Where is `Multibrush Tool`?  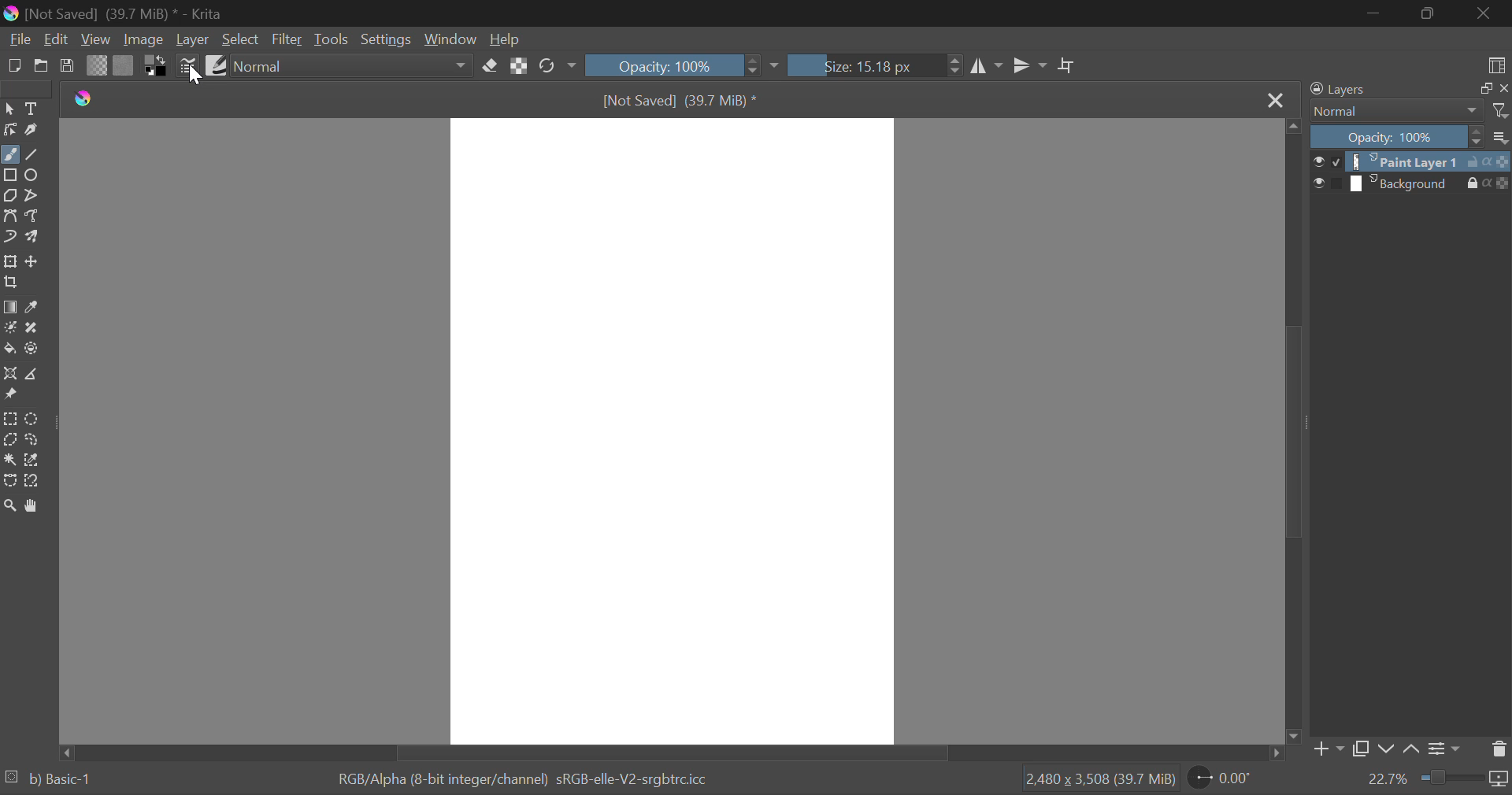
Multibrush Tool is located at coordinates (35, 238).